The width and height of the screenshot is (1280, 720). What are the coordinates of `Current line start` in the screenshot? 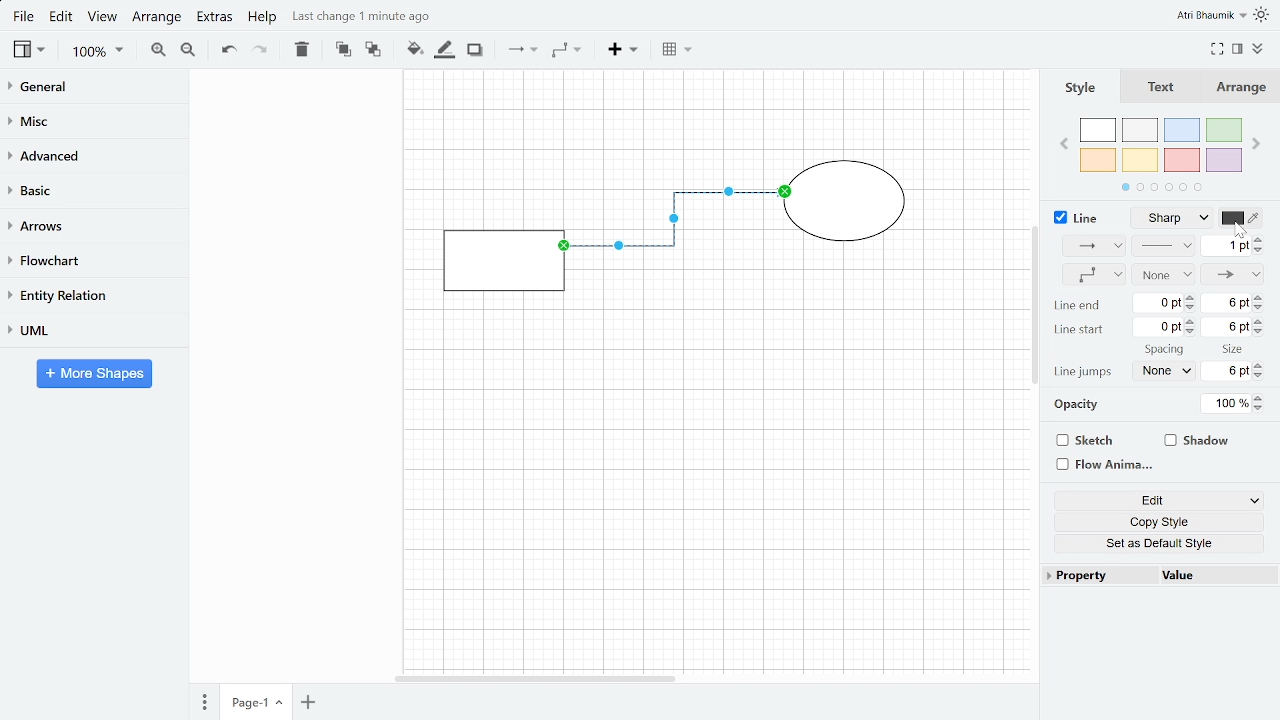 It's located at (1159, 328).